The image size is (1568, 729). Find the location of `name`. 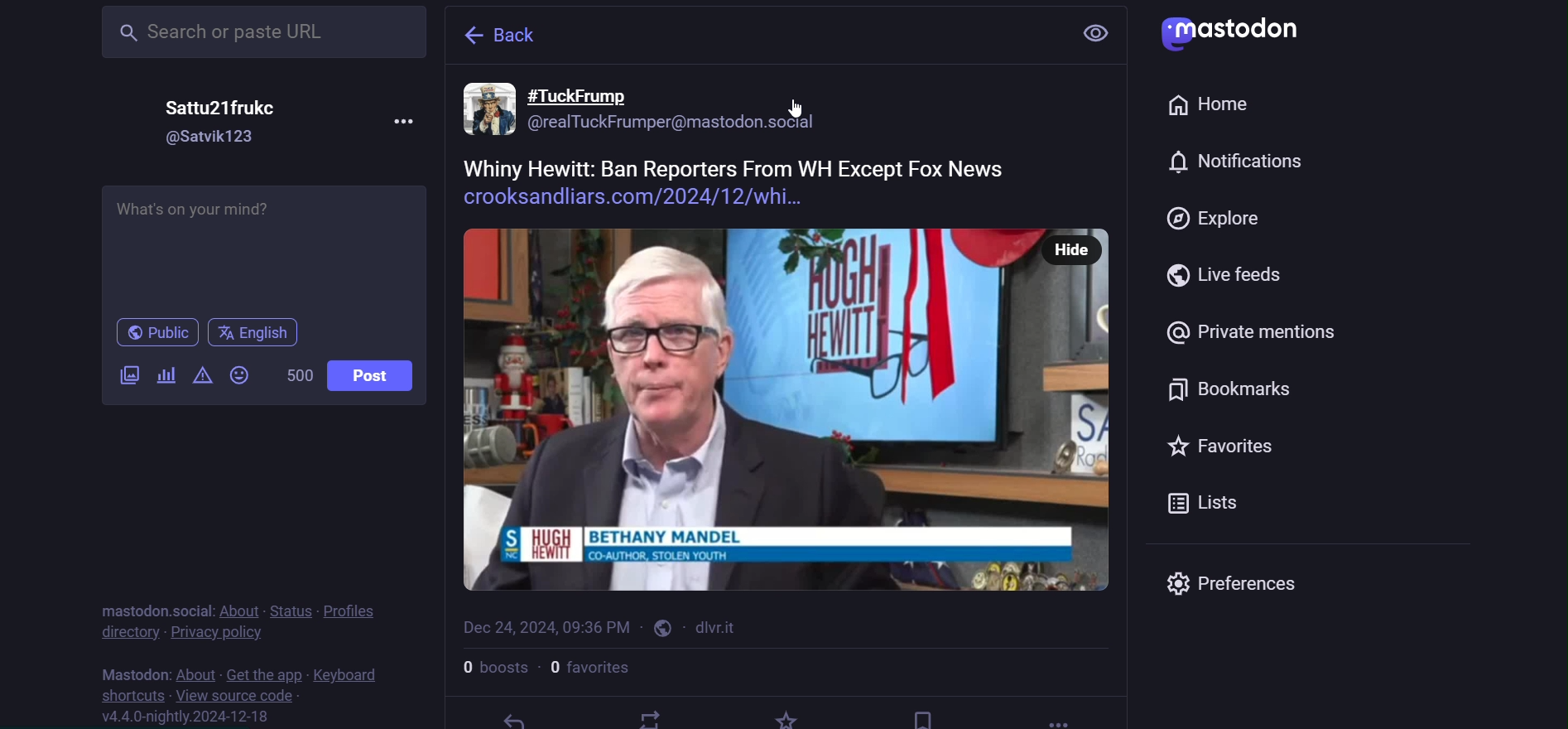

name is located at coordinates (225, 109).